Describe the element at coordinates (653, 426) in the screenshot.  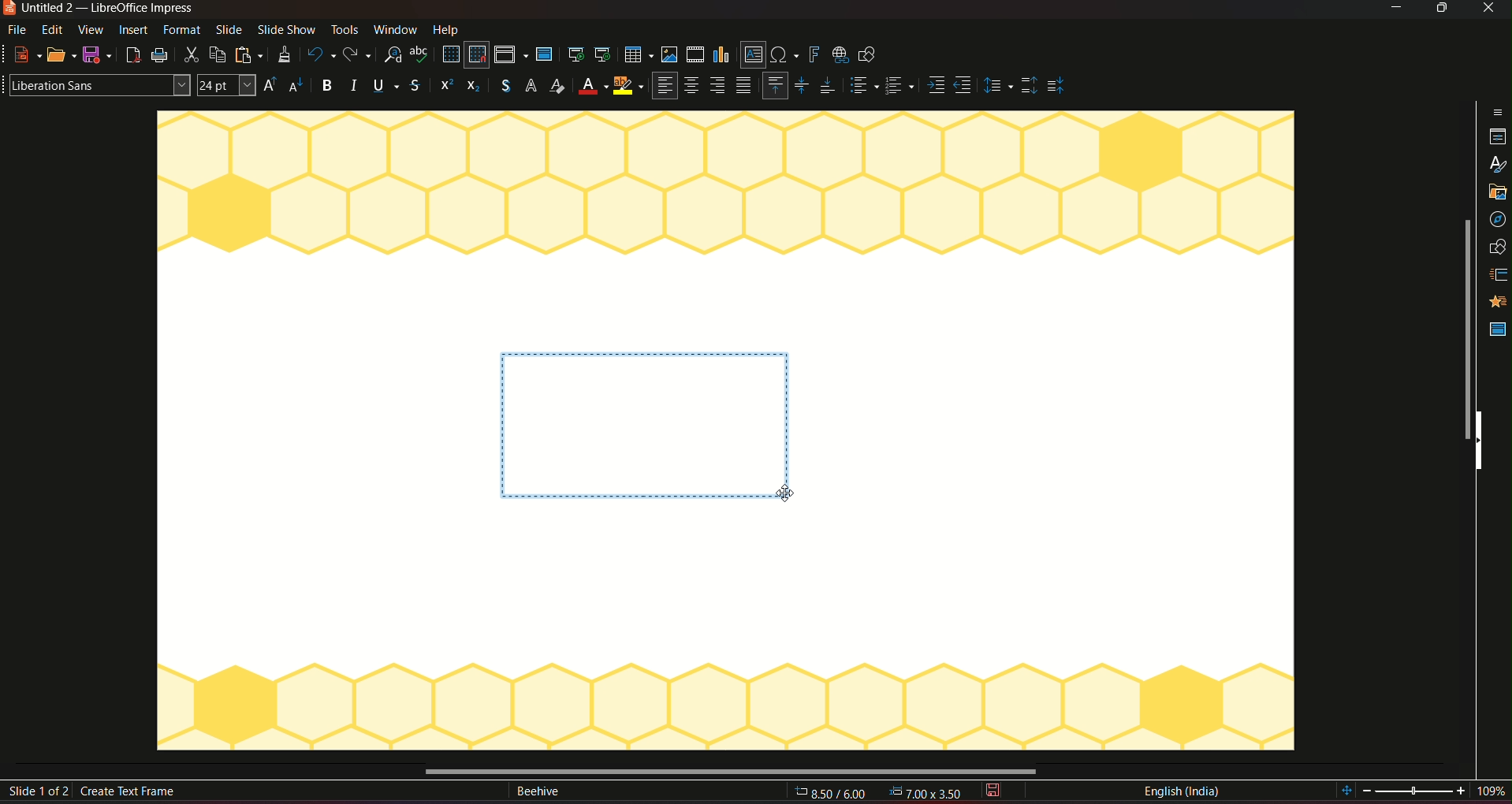
I see `text place holder` at that location.